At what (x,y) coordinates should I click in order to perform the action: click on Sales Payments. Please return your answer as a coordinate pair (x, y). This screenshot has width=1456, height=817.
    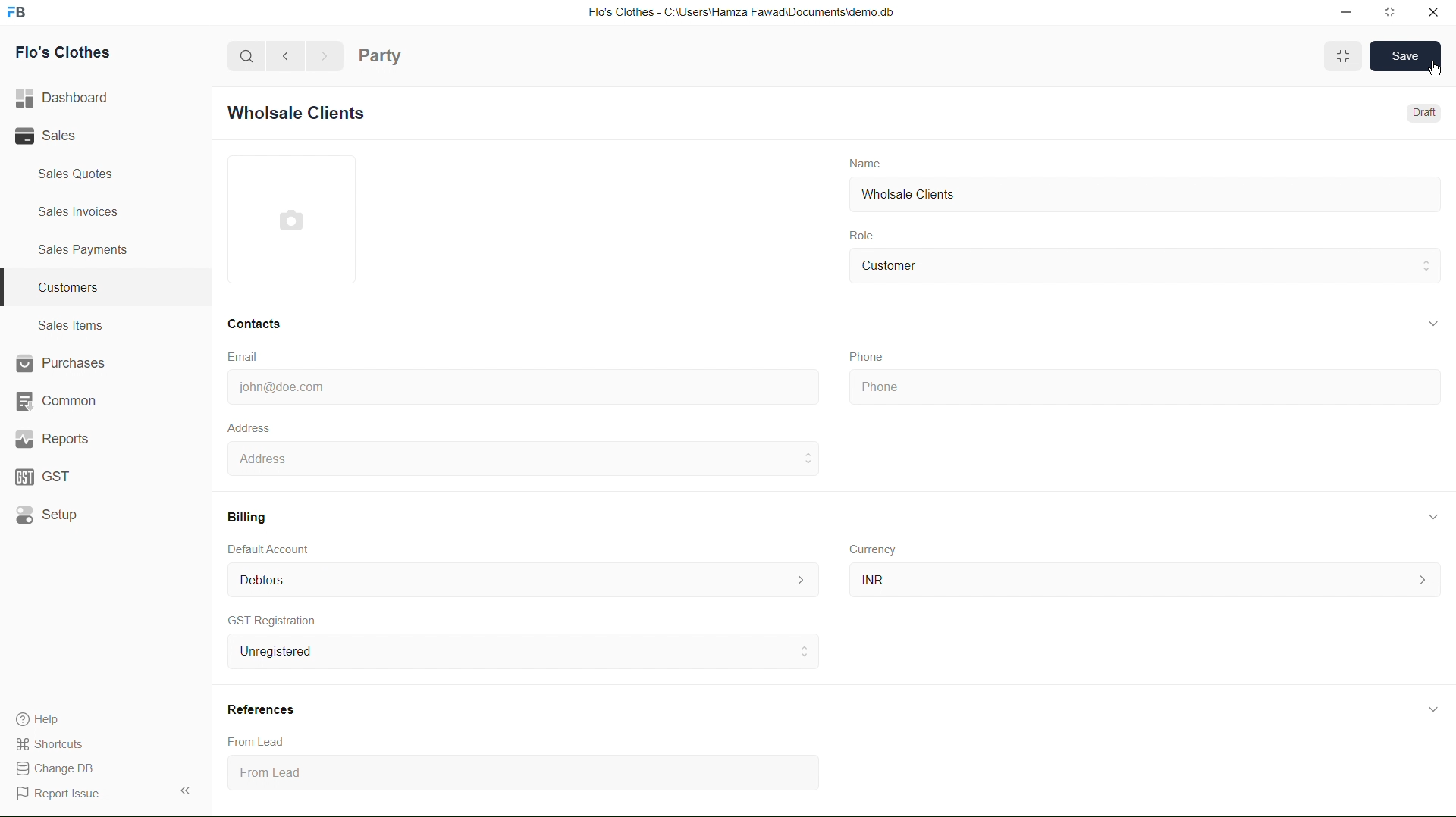
    Looking at the image, I should click on (86, 251).